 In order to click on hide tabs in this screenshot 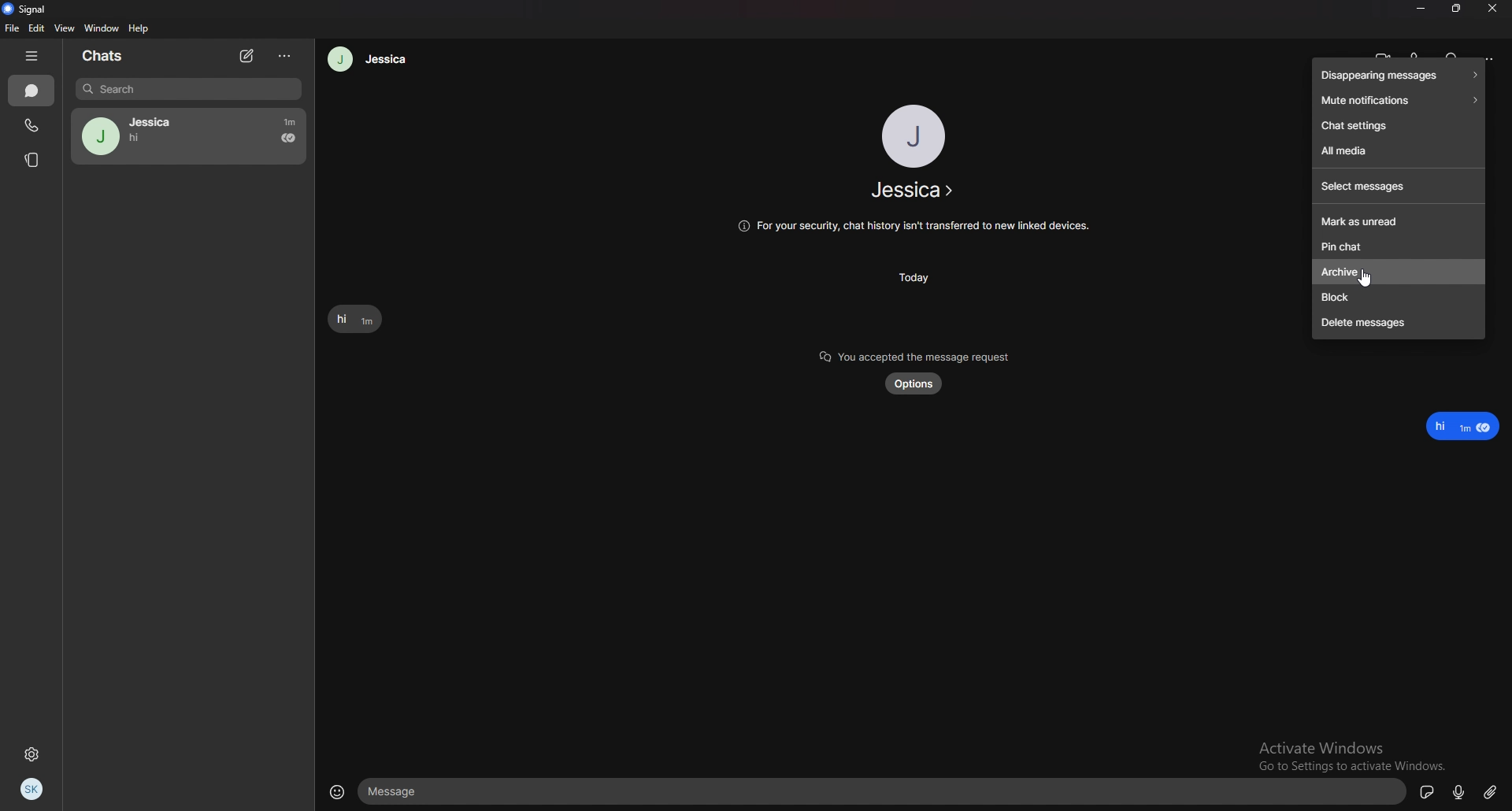, I will do `click(35, 57)`.